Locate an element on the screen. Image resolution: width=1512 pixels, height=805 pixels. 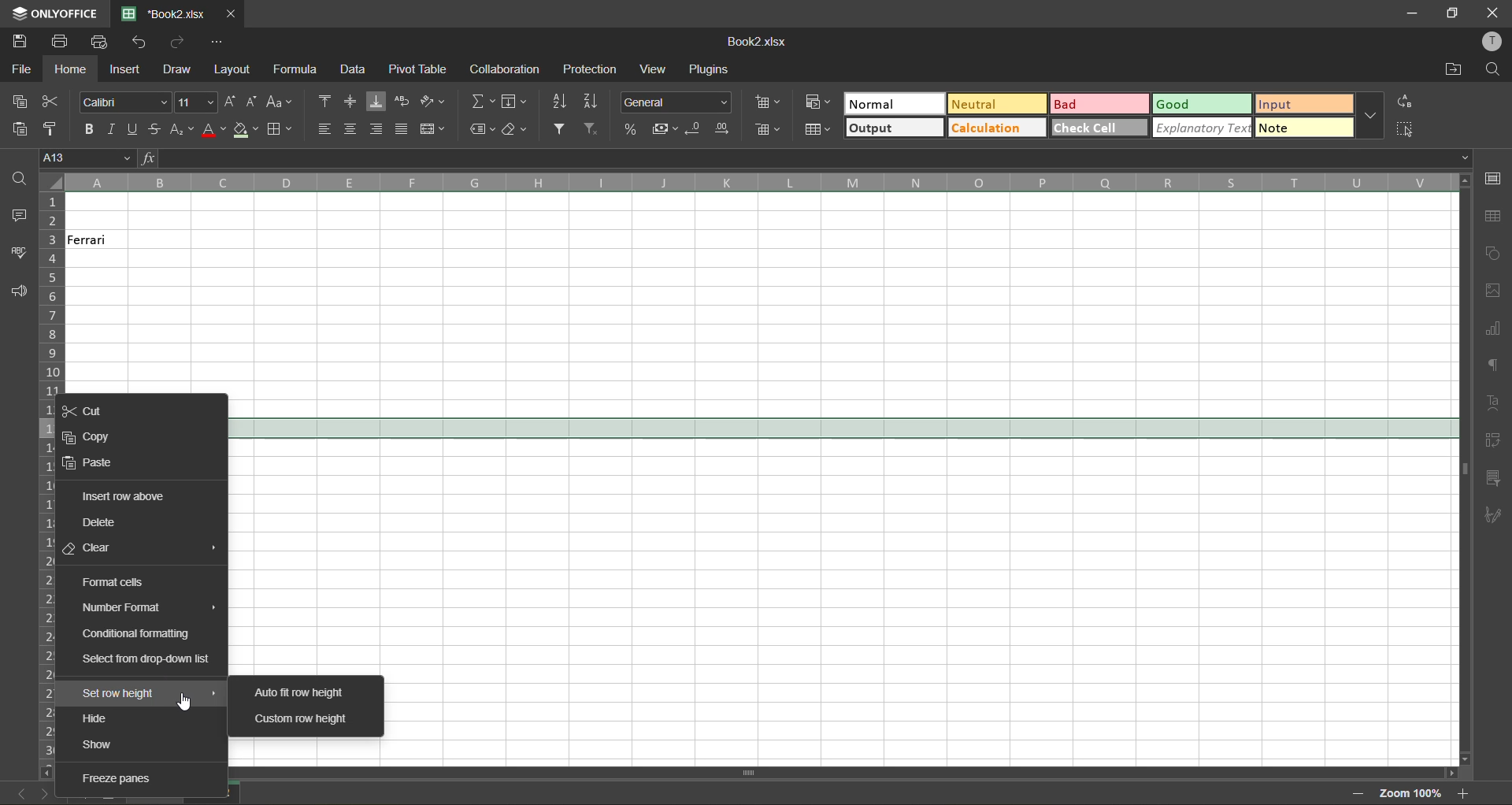
format as table is located at coordinates (818, 129).